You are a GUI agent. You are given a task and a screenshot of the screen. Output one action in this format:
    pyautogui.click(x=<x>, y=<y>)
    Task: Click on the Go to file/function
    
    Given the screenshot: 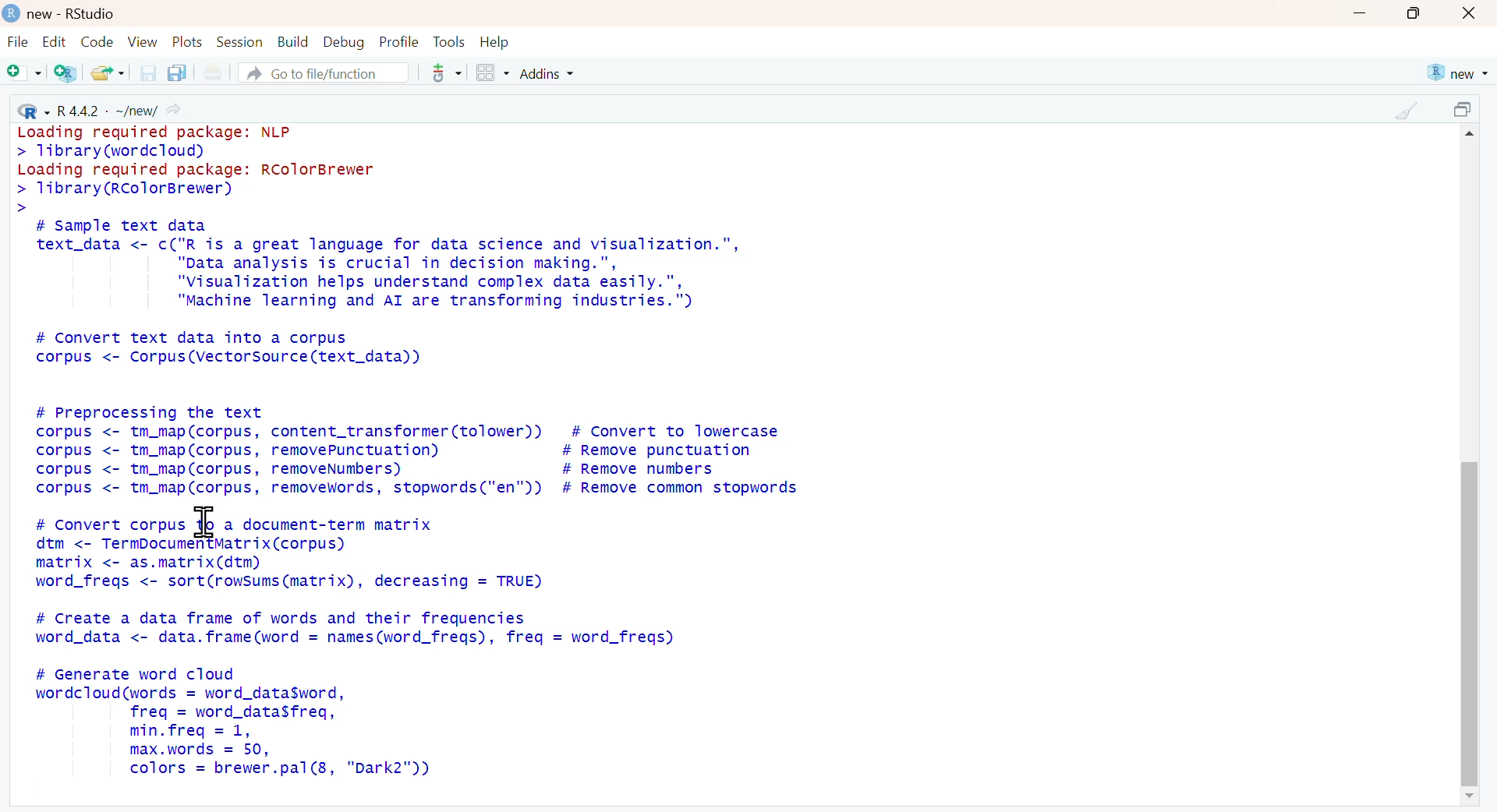 What is the action you would take?
    pyautogui.click(x=322, y=72)
    